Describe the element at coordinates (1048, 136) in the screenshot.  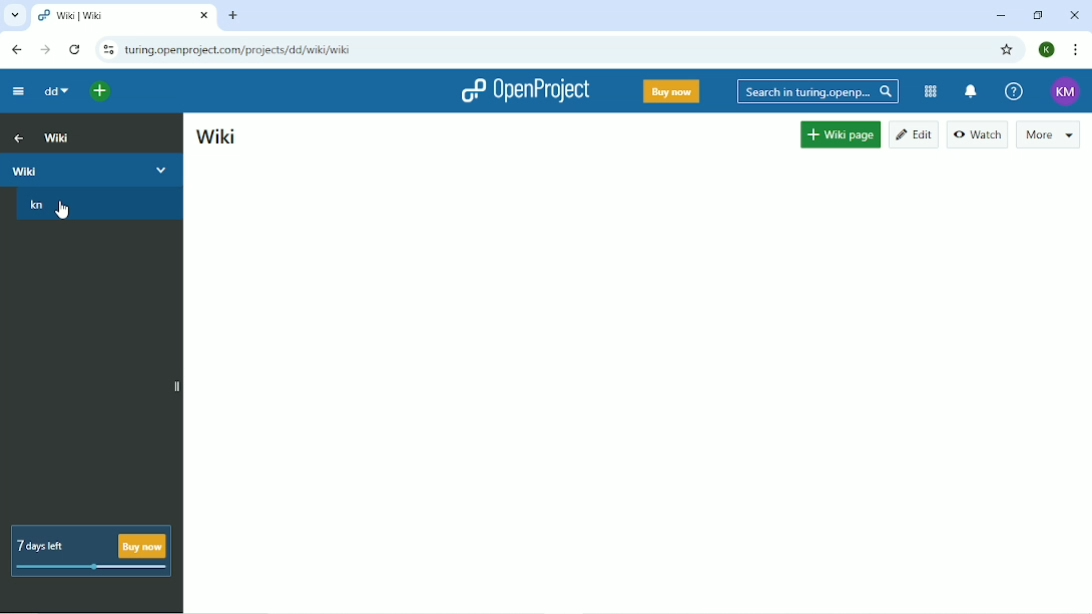
I see `More` at that location.